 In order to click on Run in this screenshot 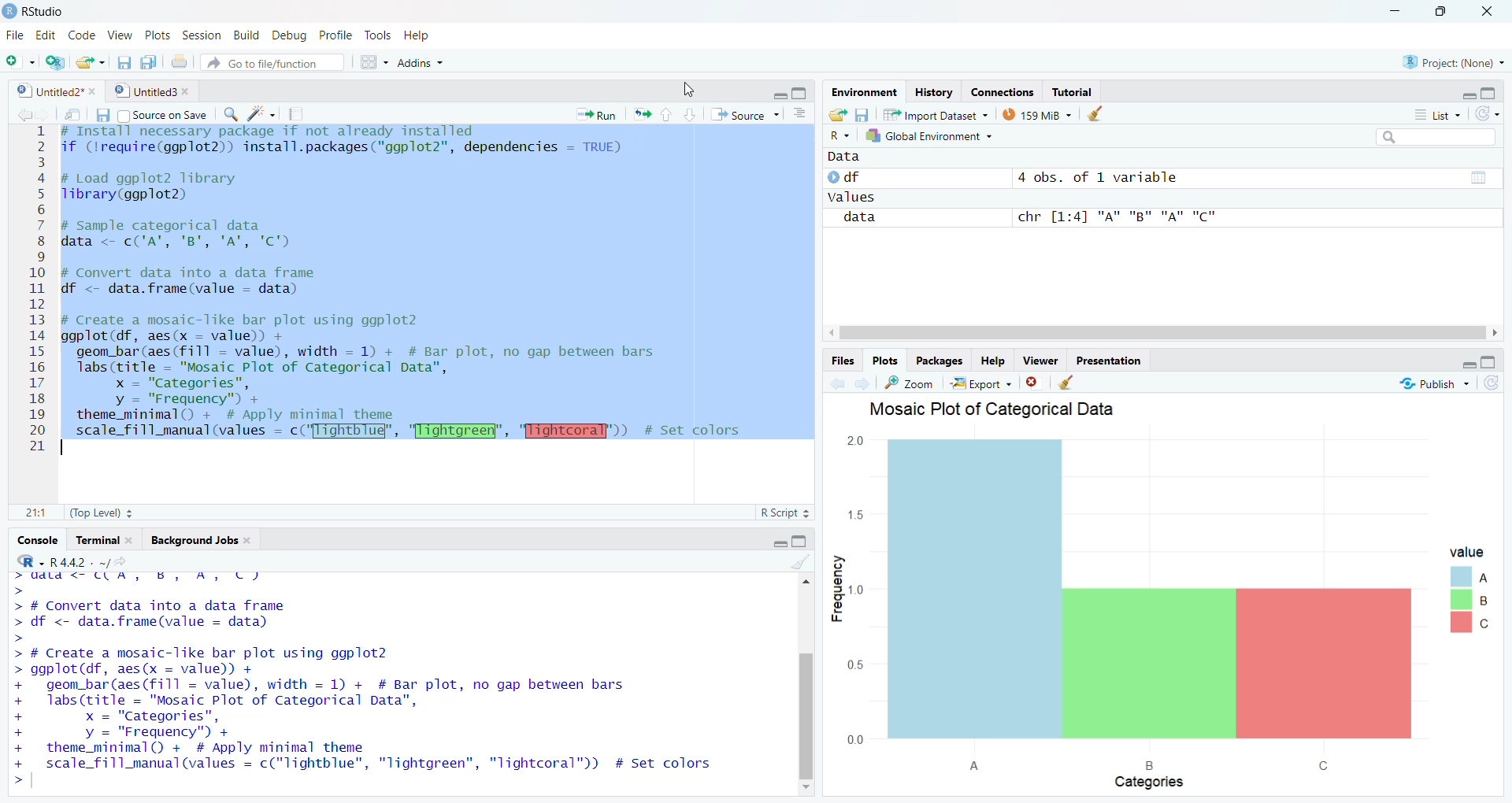, I will do `click(598, 113)`.